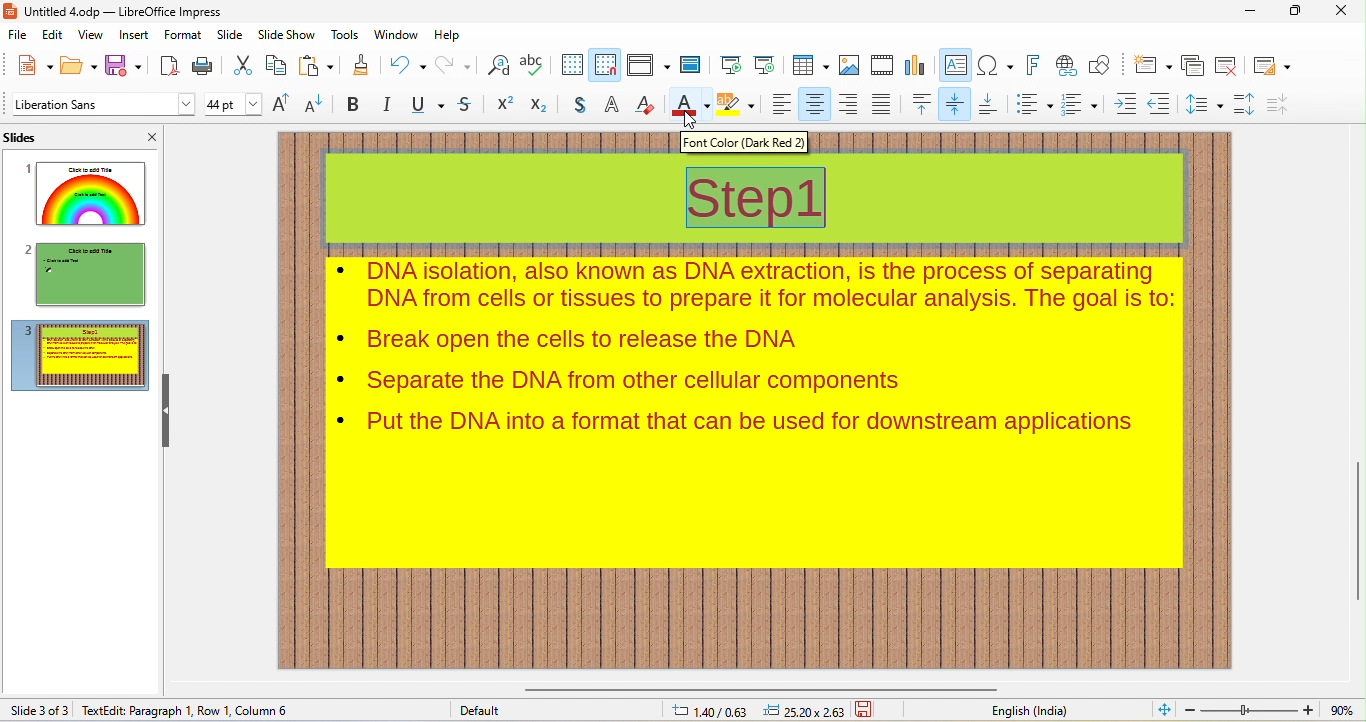  I want to click on save, so click(867, 710).